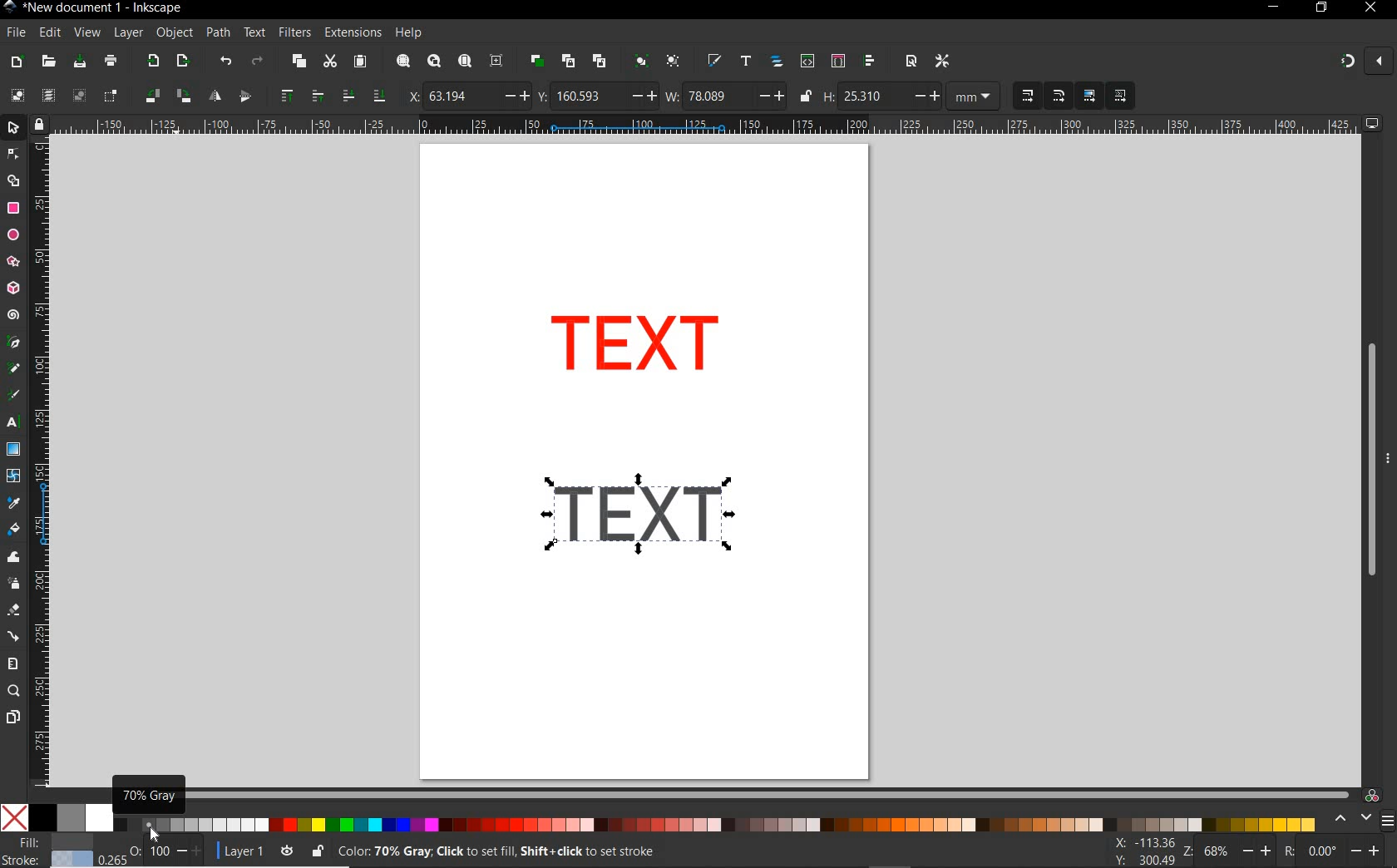 The height and width of the screenshot is (868, 1397). I want to click on 3d box tool, so click(15, 287).